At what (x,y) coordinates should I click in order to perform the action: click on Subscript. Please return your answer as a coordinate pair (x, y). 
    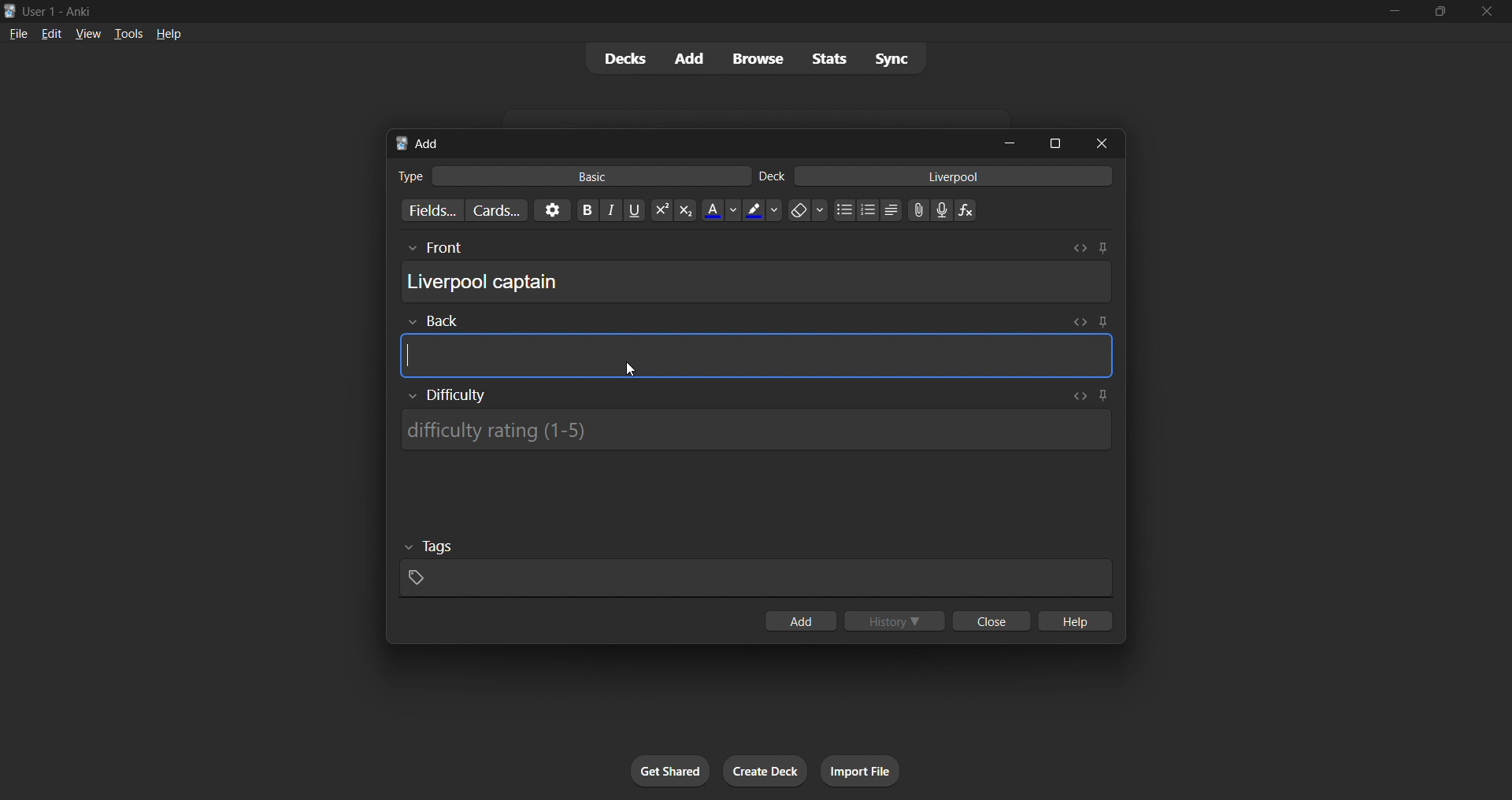
    Looking at the image, I should click on (686, 210).